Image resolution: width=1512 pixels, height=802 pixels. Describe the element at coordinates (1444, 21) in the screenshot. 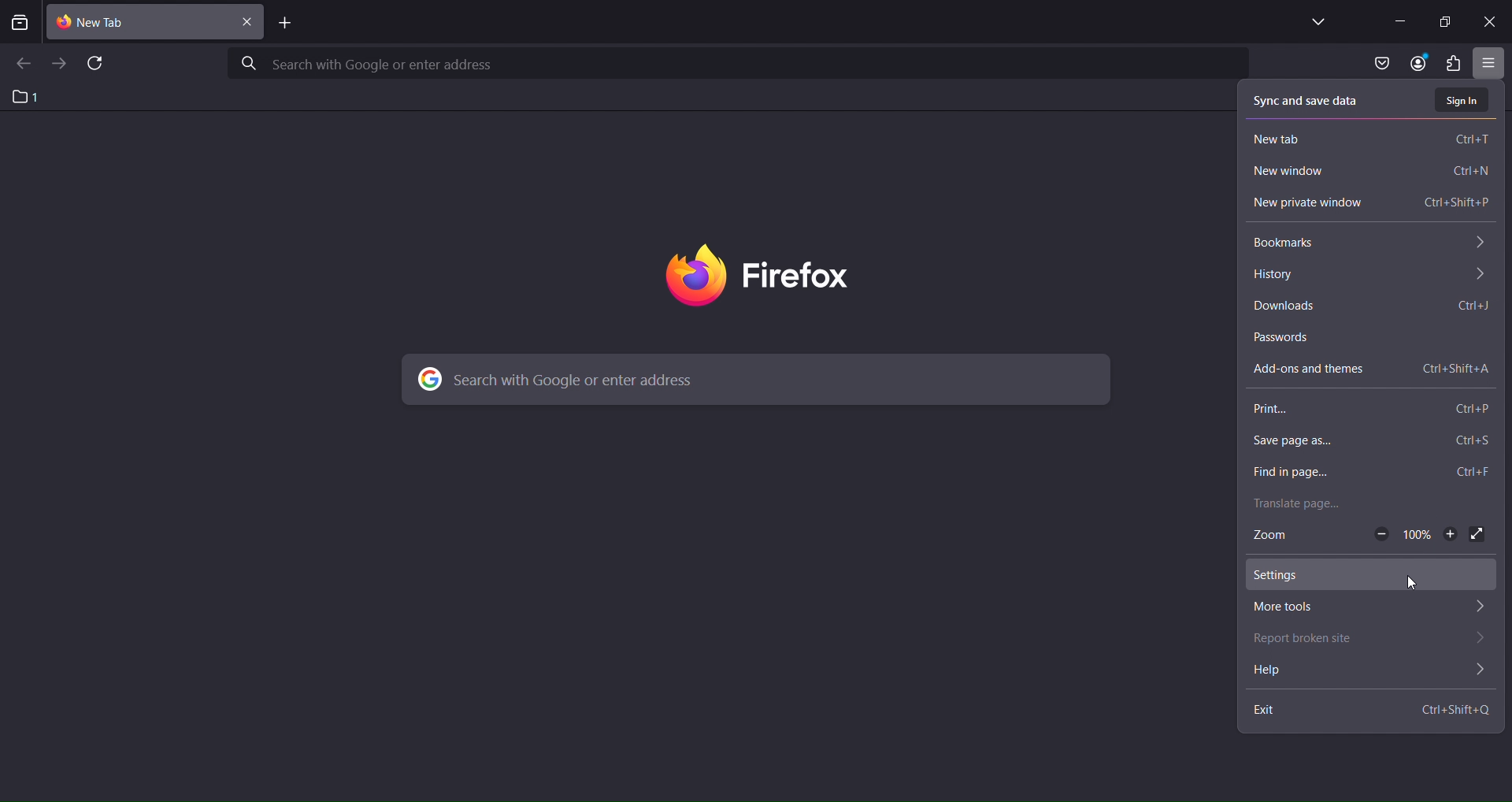

I see `restore window` at that location.